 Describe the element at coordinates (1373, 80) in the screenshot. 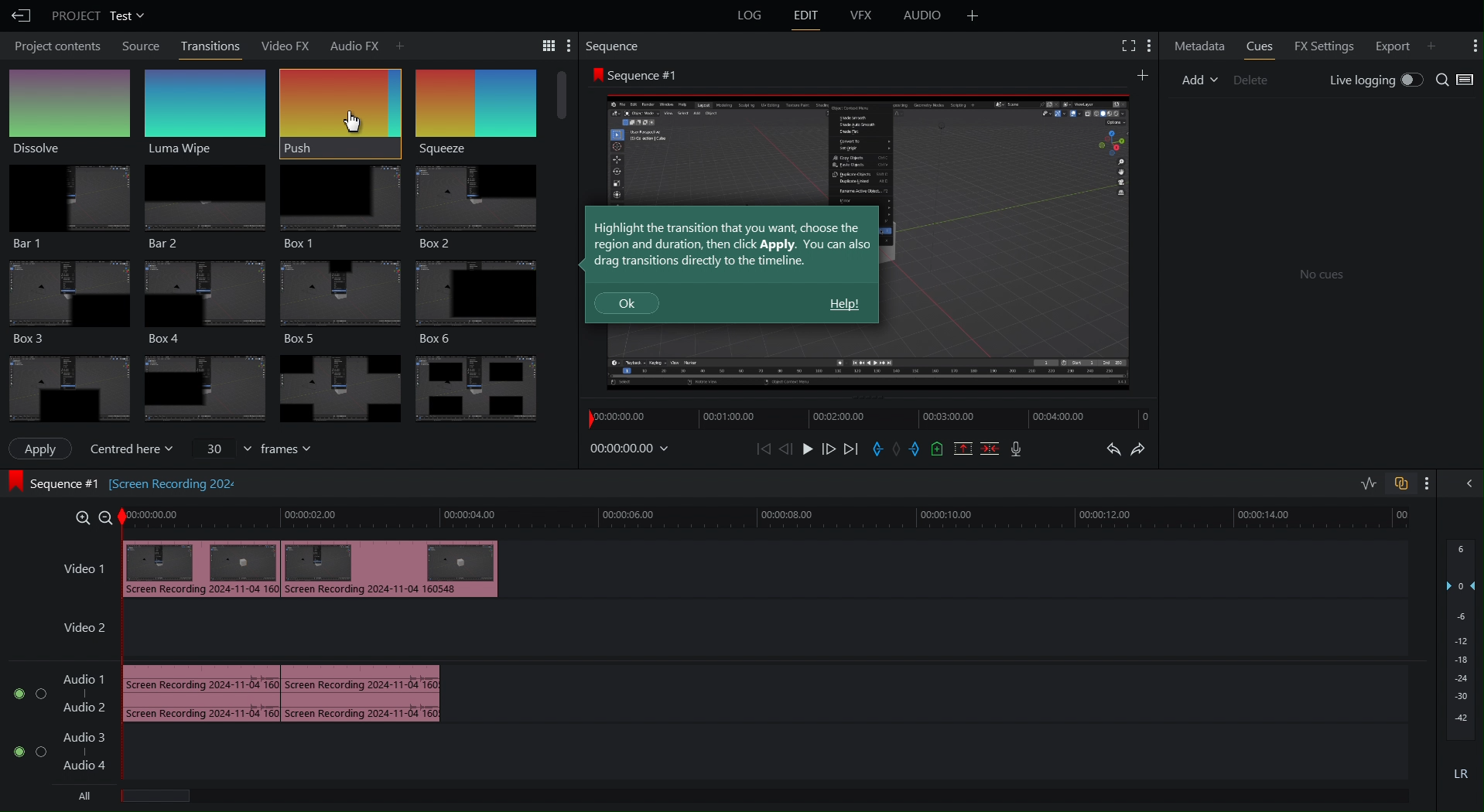

I see `Live Logging` at that location.